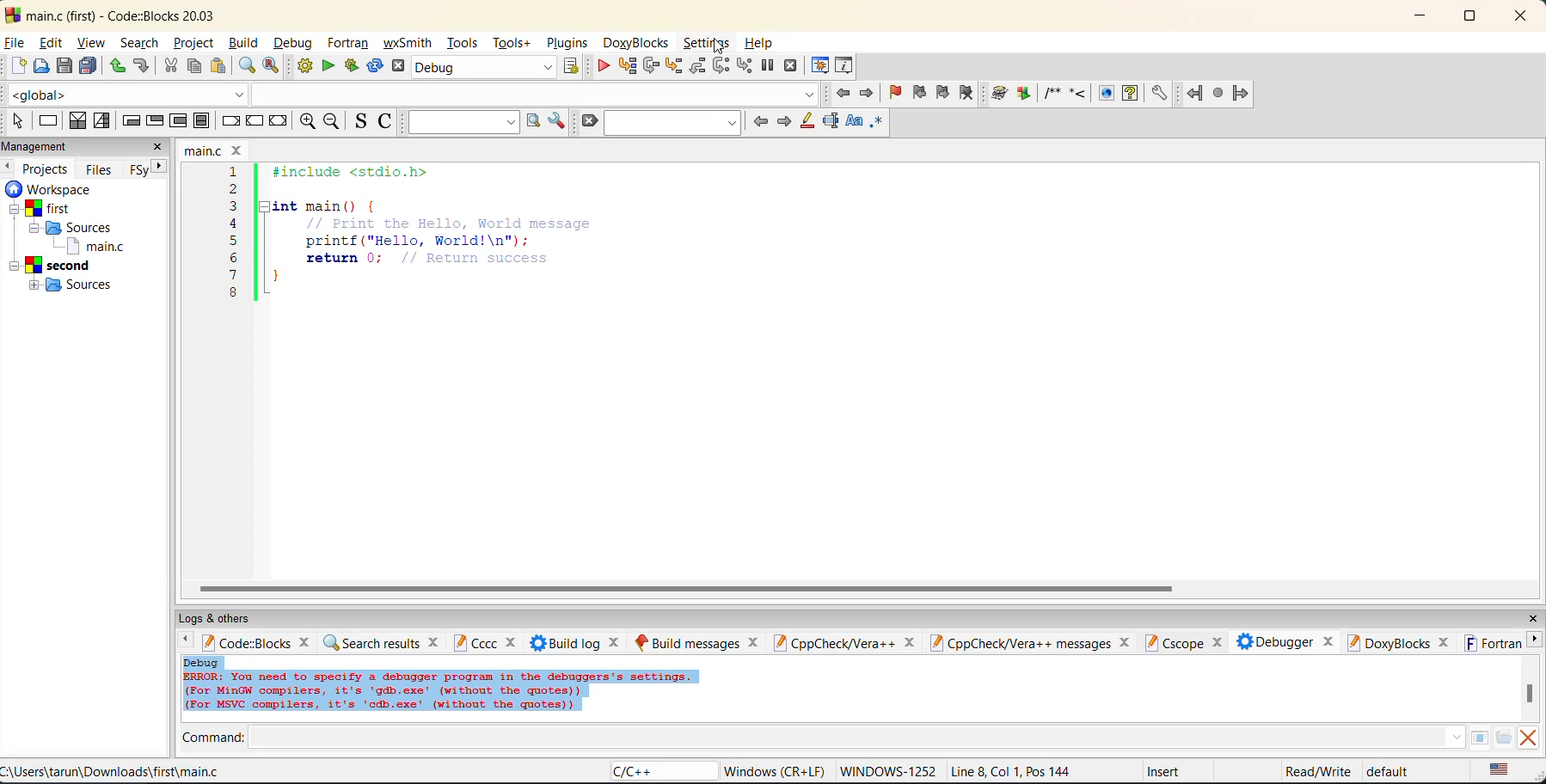  I want to click on projects, so click(48, 167).